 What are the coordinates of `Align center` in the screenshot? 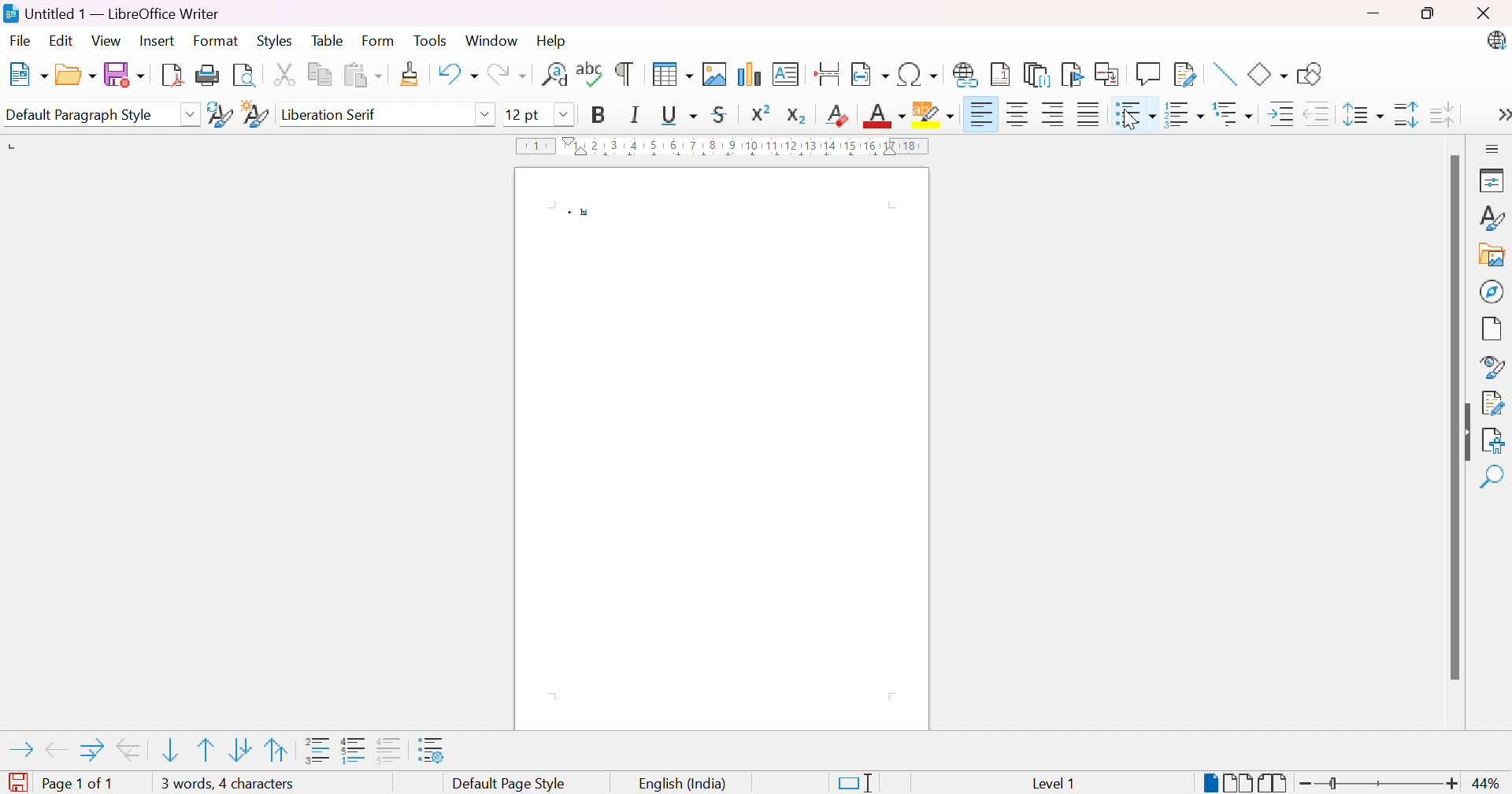 It's located at (1018, 114).